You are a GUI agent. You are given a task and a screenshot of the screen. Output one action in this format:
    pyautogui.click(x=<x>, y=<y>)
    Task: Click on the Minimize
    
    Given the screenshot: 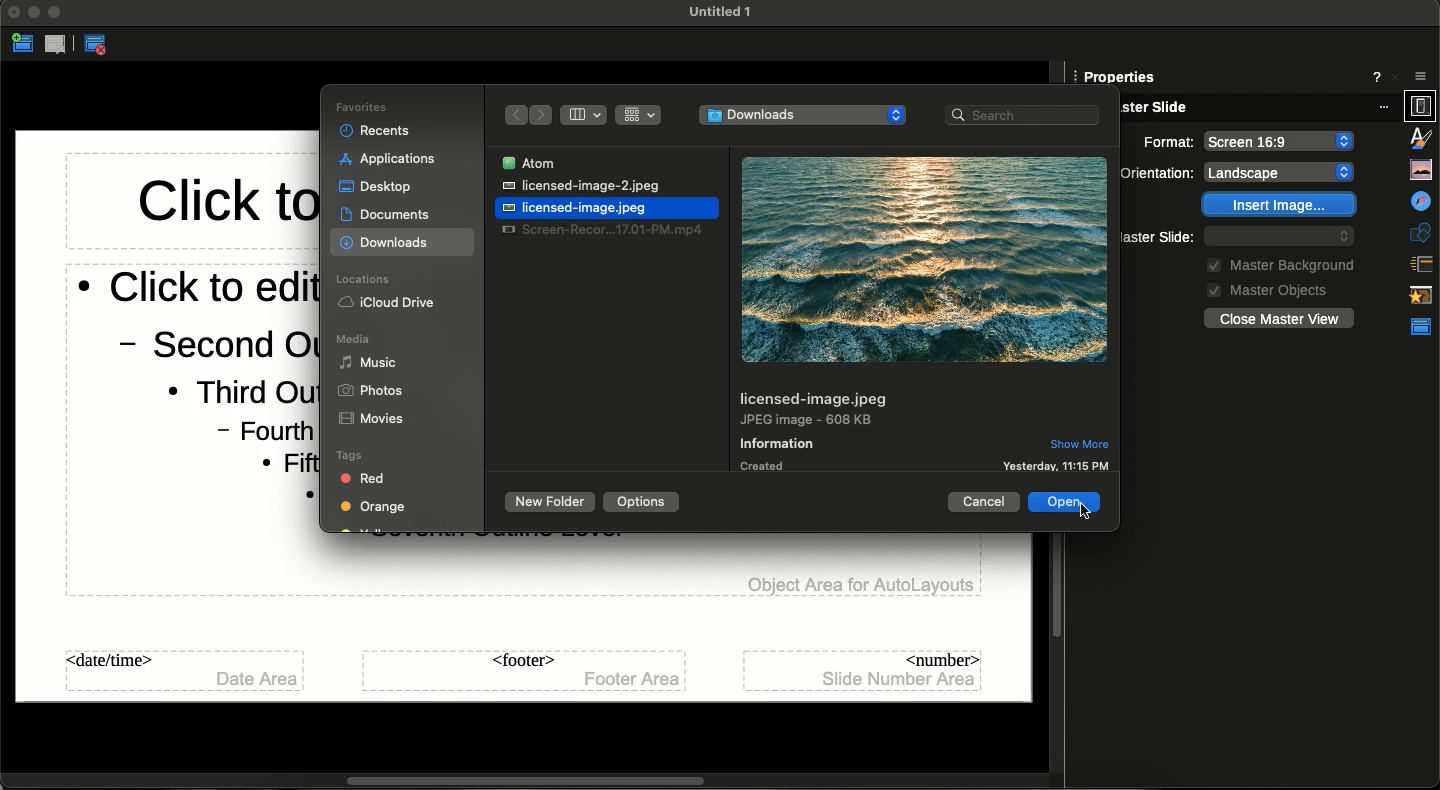 What is the action you would take?
    pyautogui.click(x=35, y=14)
    